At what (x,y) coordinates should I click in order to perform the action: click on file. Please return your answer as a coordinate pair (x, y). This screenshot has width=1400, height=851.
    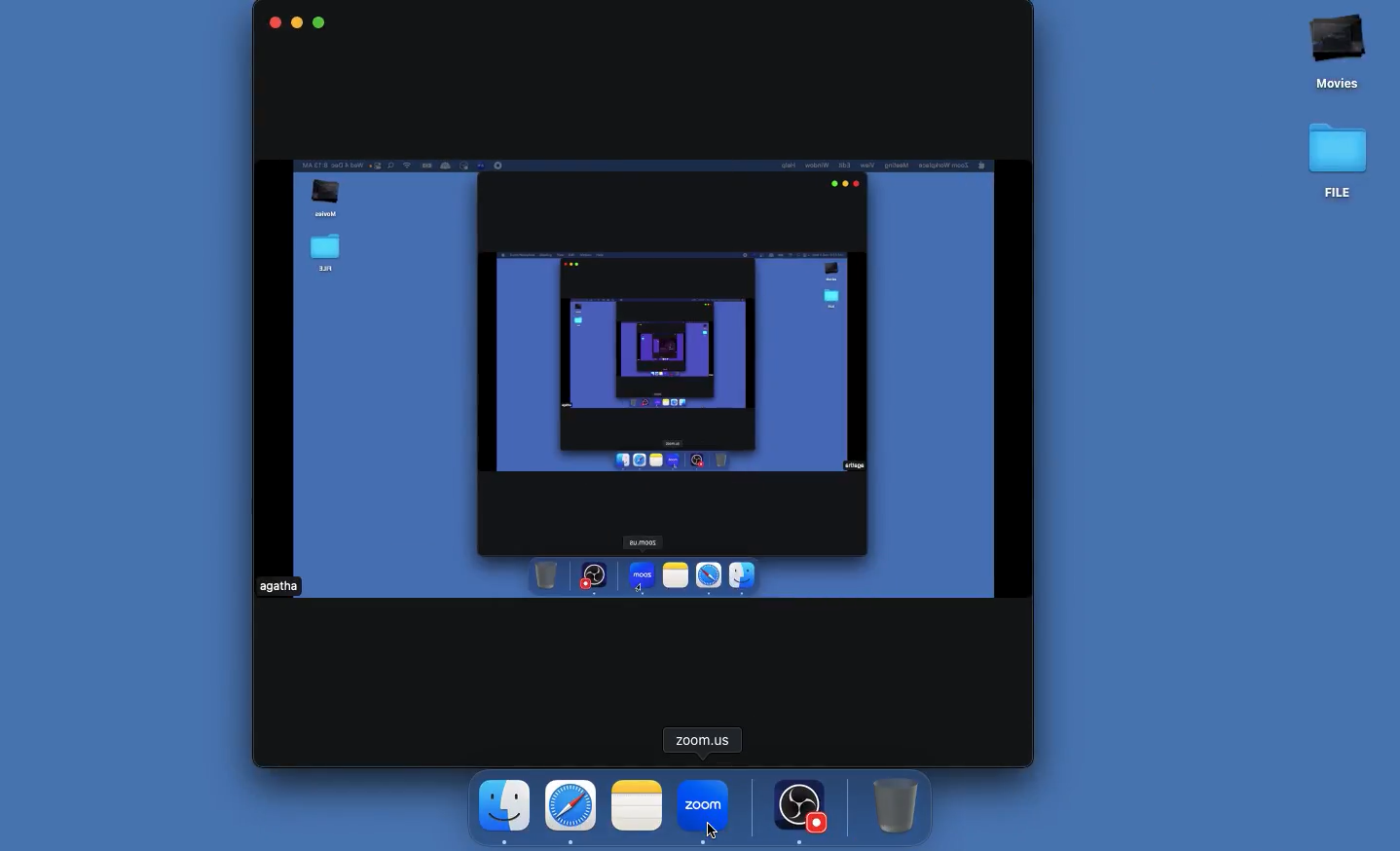
    Looking at the image, I should click on (1342, 165).